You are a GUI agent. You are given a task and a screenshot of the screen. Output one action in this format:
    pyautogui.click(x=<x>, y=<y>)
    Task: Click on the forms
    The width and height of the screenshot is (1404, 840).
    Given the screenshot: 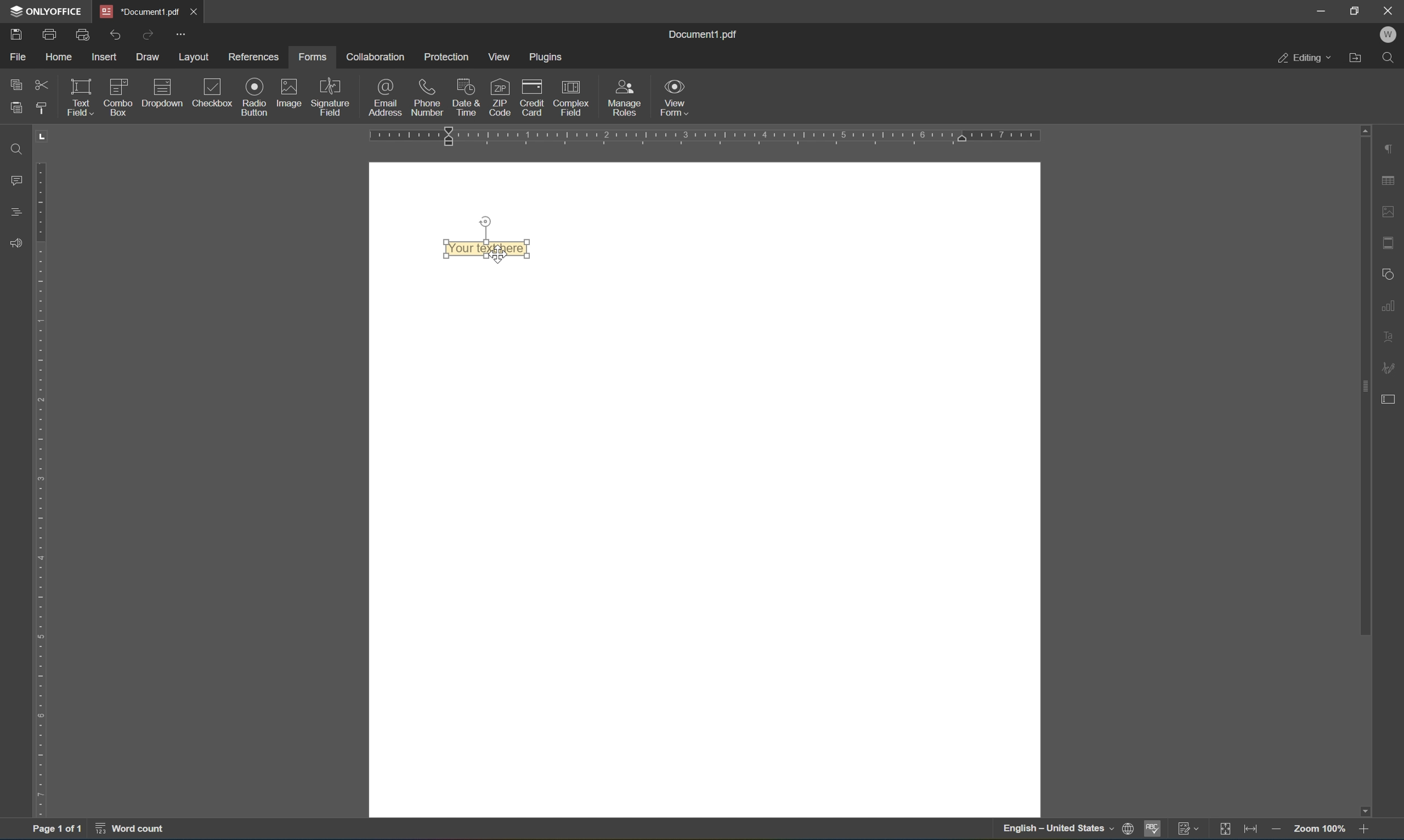 What is the action you would take?
    pyautogui.click(x=311, y=58)
    